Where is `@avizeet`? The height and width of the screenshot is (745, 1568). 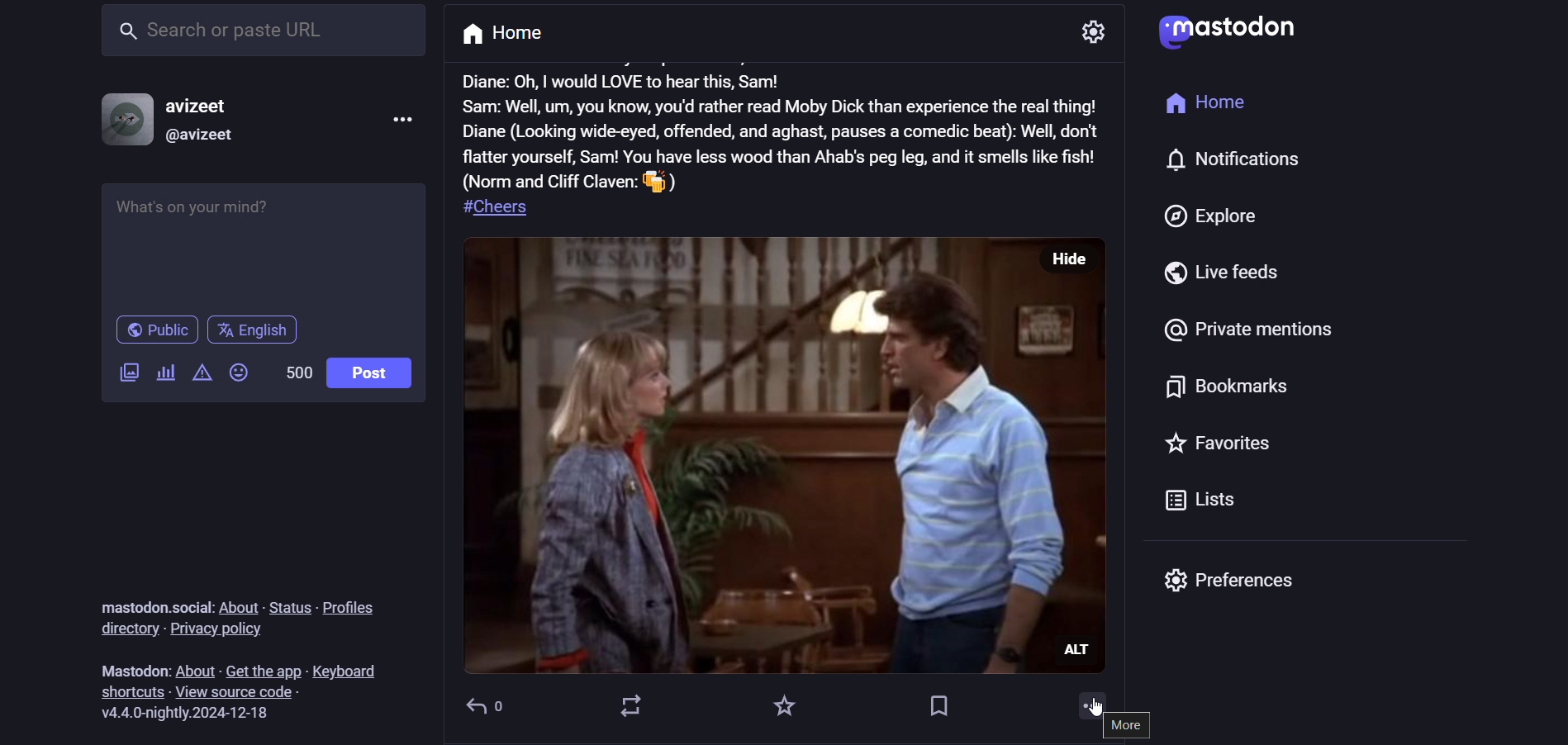
@avizeet is located at coordinates (200, 137).